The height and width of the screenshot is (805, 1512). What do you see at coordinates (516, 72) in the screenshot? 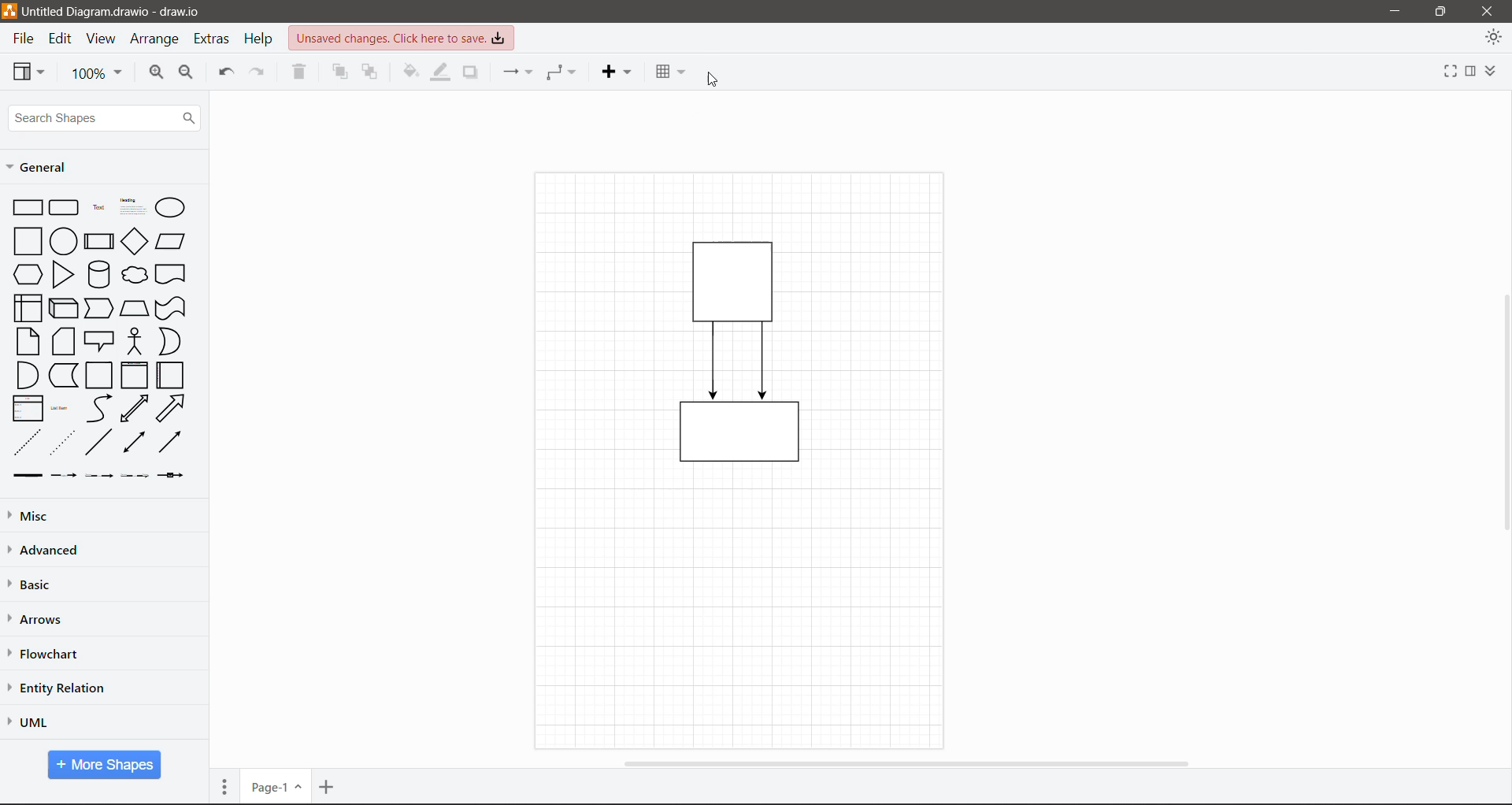
I see `Connection` at bounding box center [516, 72].